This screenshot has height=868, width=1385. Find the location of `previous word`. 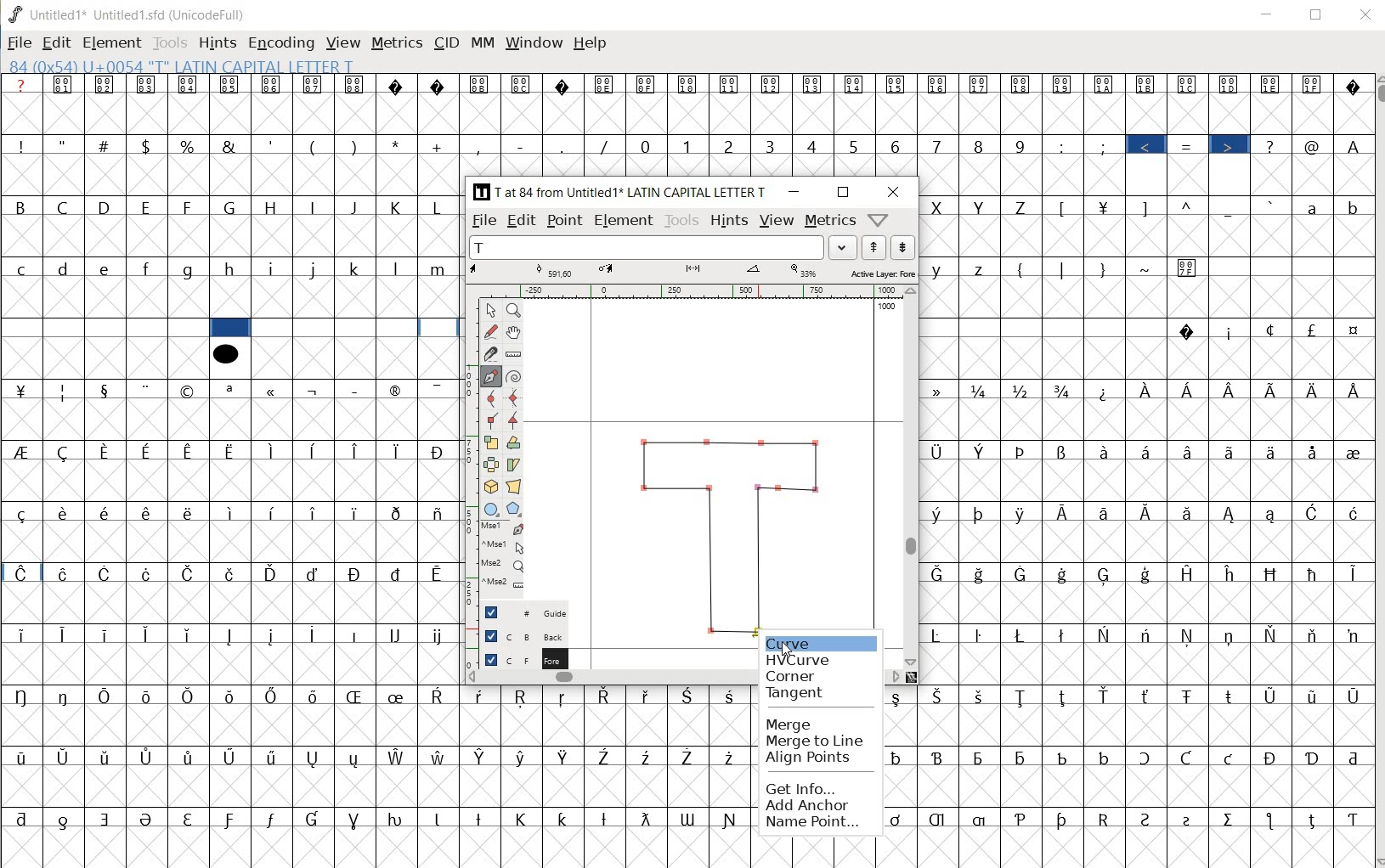

previous word is located at coordinates (877, 248).